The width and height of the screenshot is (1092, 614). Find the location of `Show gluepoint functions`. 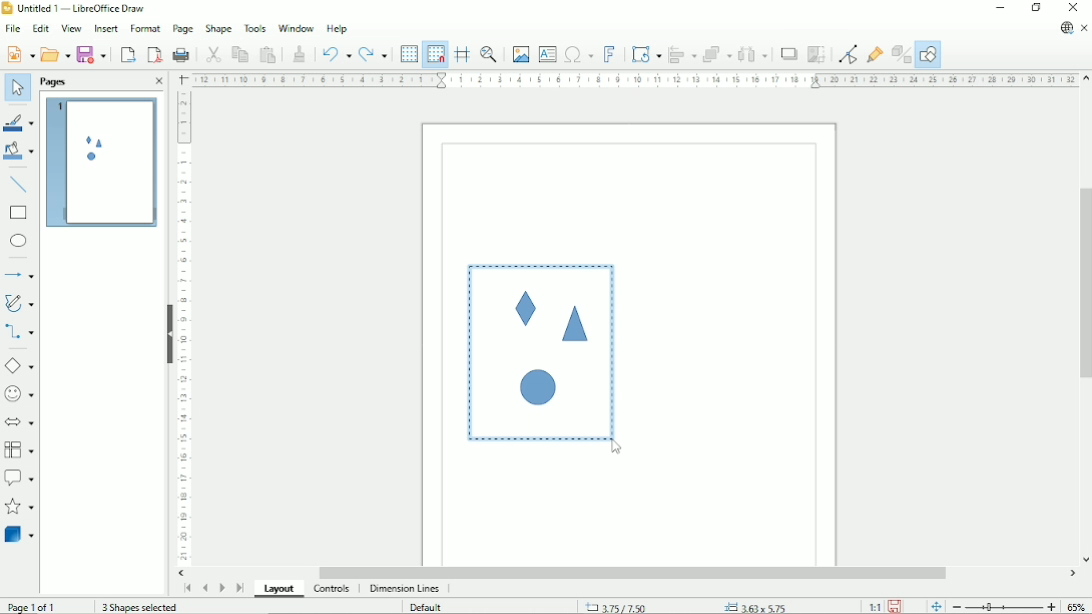

Show gluepoint functions is located at coordinates (876, 54).